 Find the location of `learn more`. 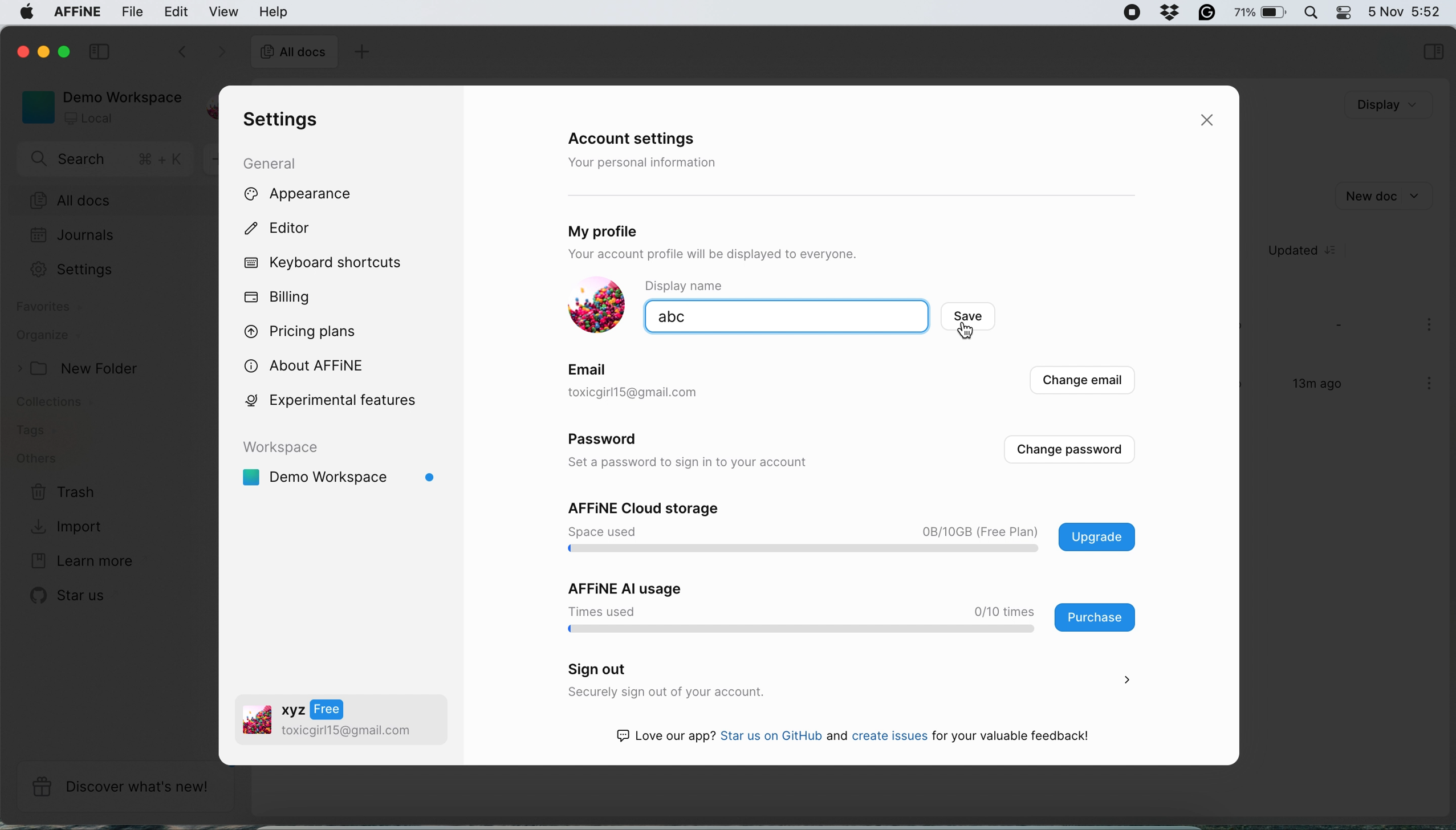

learn more is located at coordinates (79, 562).